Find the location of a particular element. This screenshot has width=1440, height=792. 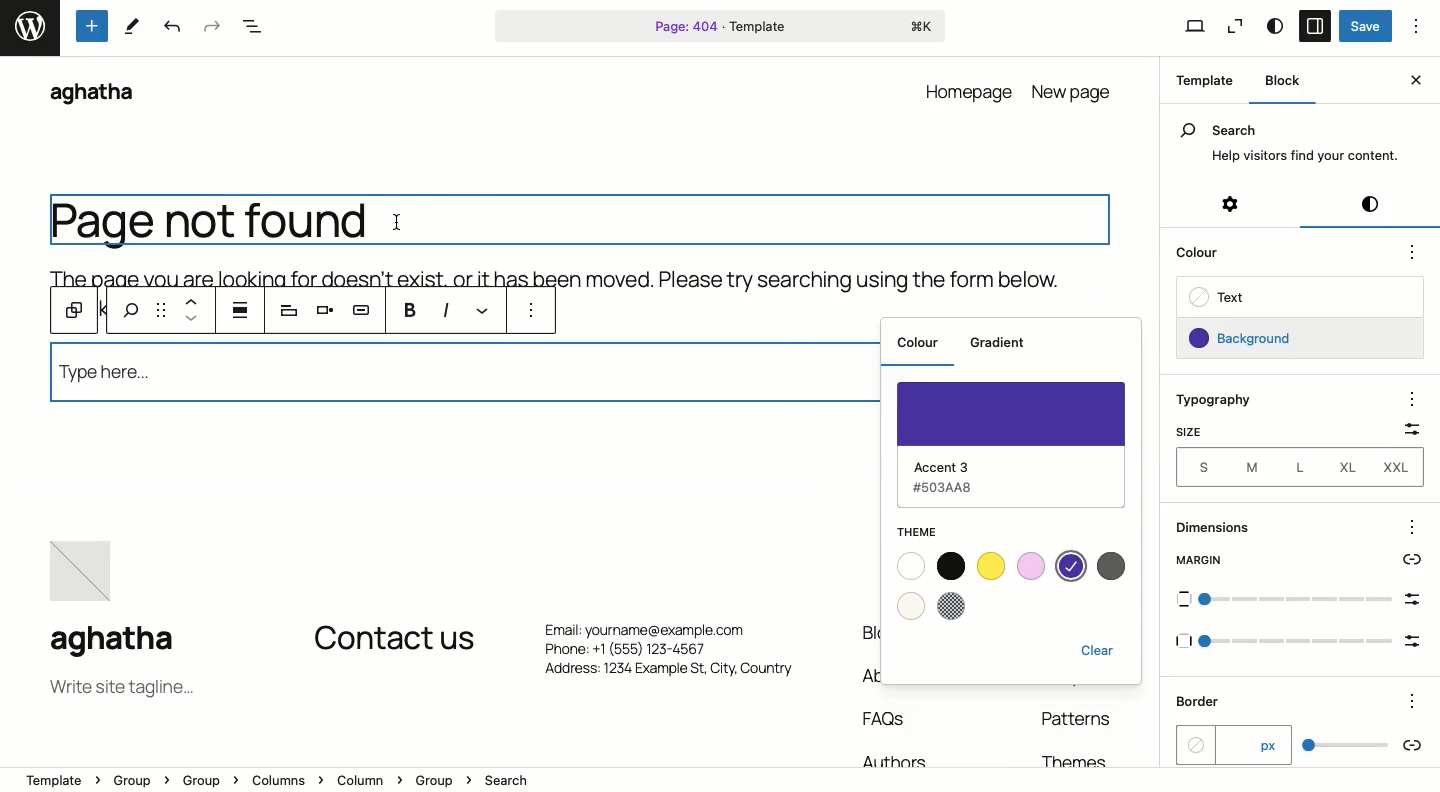

Colours is located at coordinates (968, 586).